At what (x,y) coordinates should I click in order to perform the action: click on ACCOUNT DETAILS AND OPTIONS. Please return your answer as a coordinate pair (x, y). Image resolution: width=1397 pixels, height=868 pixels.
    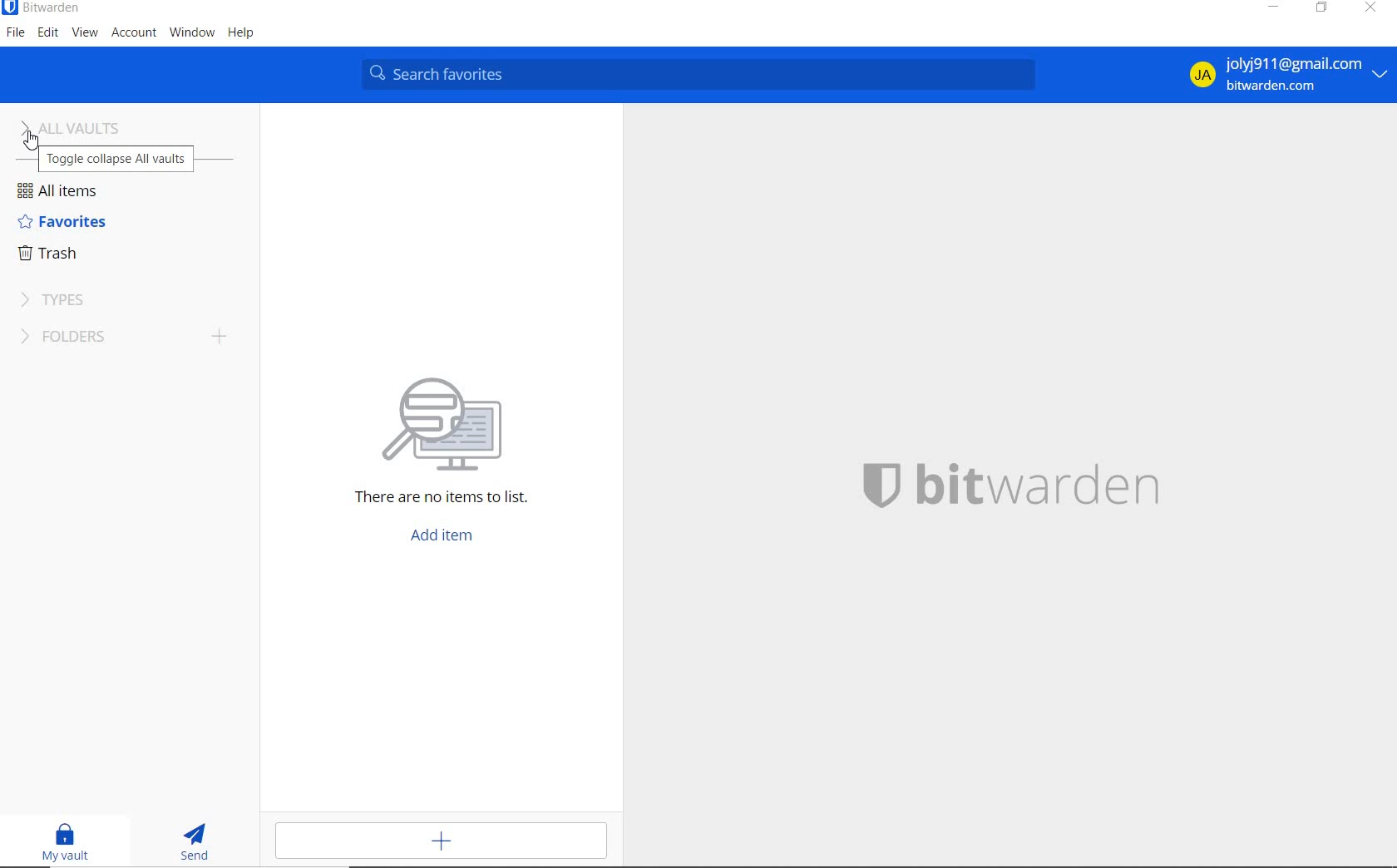
    Looking at the image, I should click on (1282, 75).